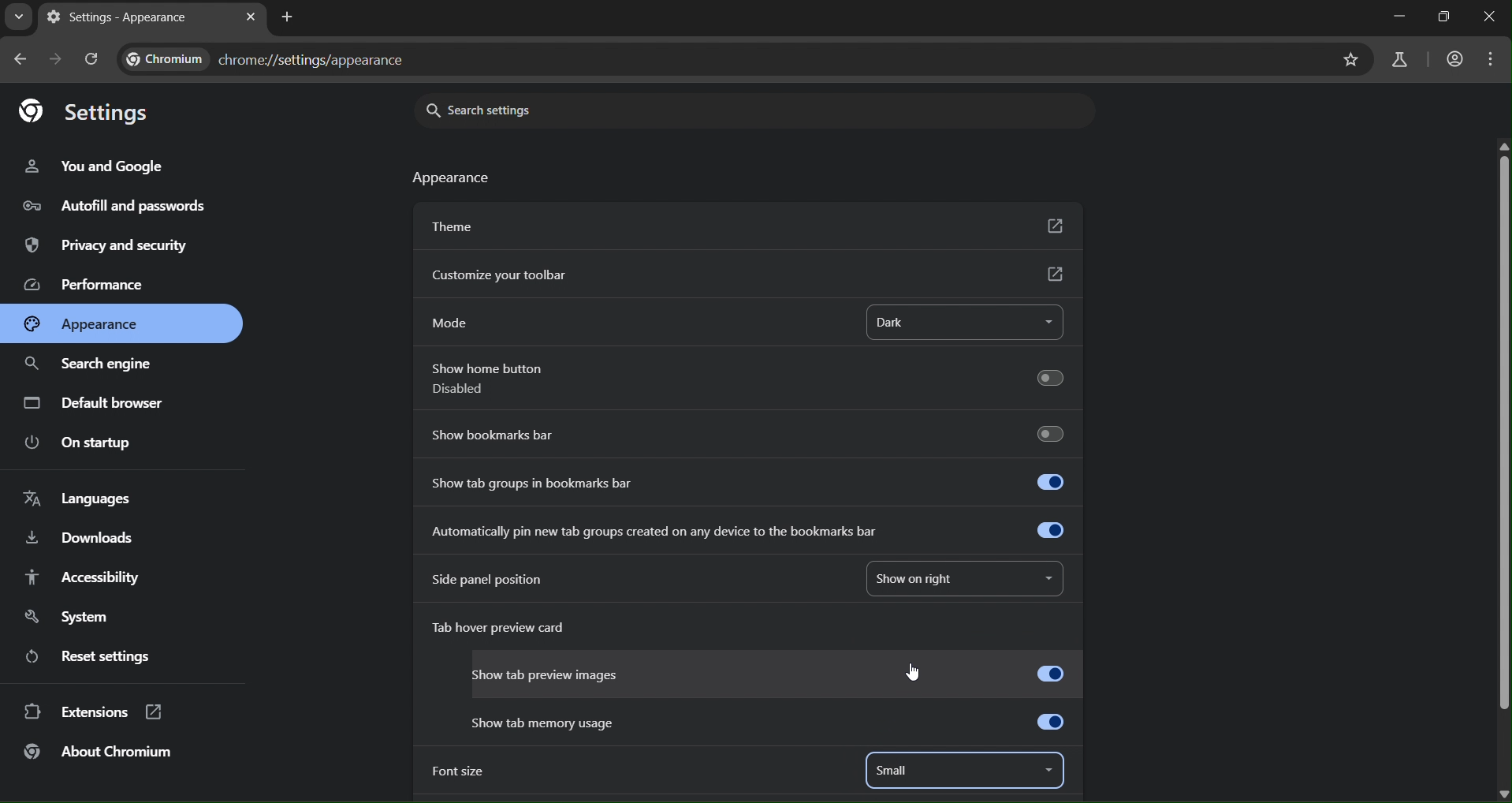 The image size is (1512, 803). I want to click on go forward in page, so click(57, 60).